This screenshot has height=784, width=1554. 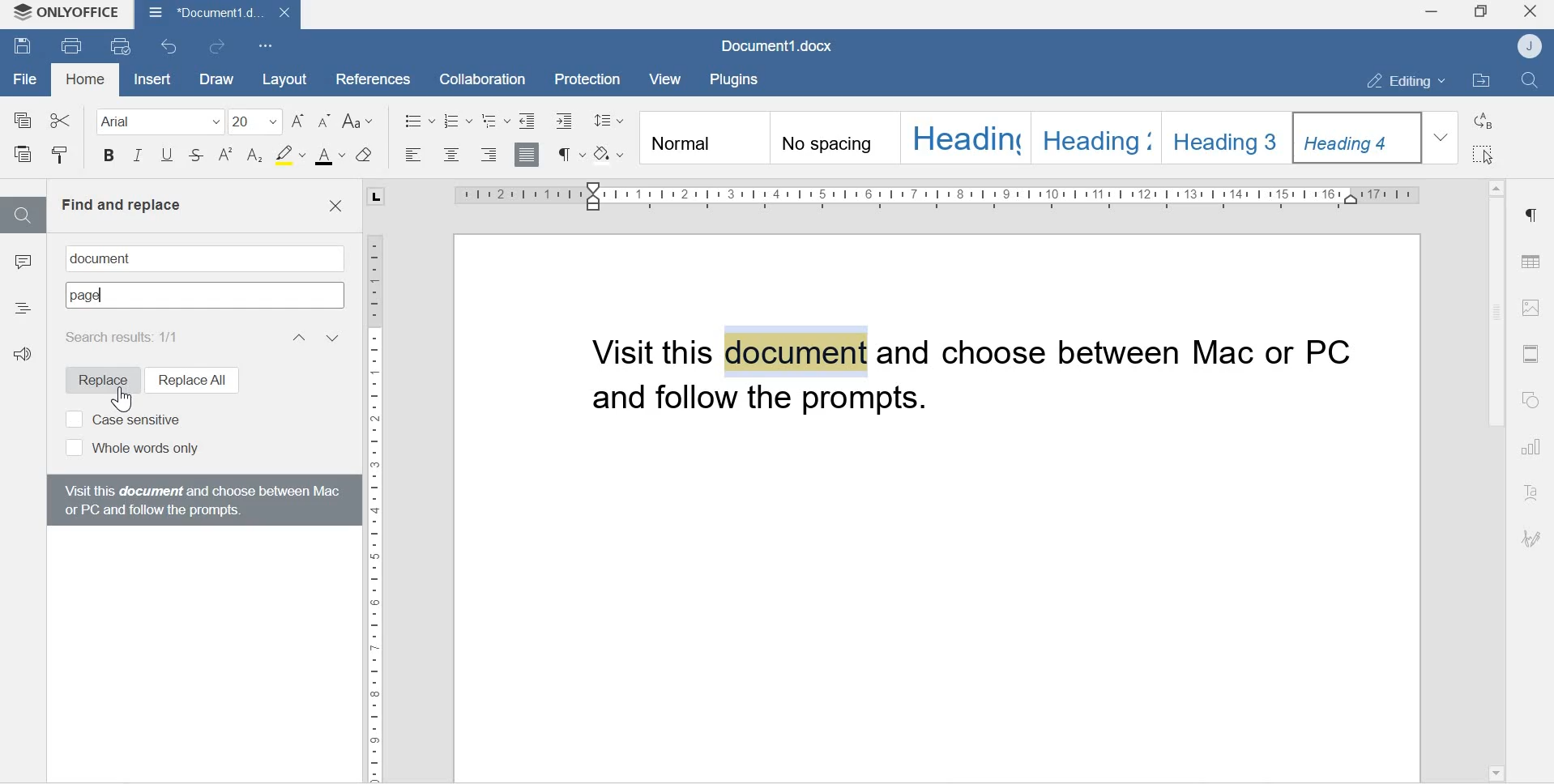 I want to click on Find, so click(x=22, y=215).